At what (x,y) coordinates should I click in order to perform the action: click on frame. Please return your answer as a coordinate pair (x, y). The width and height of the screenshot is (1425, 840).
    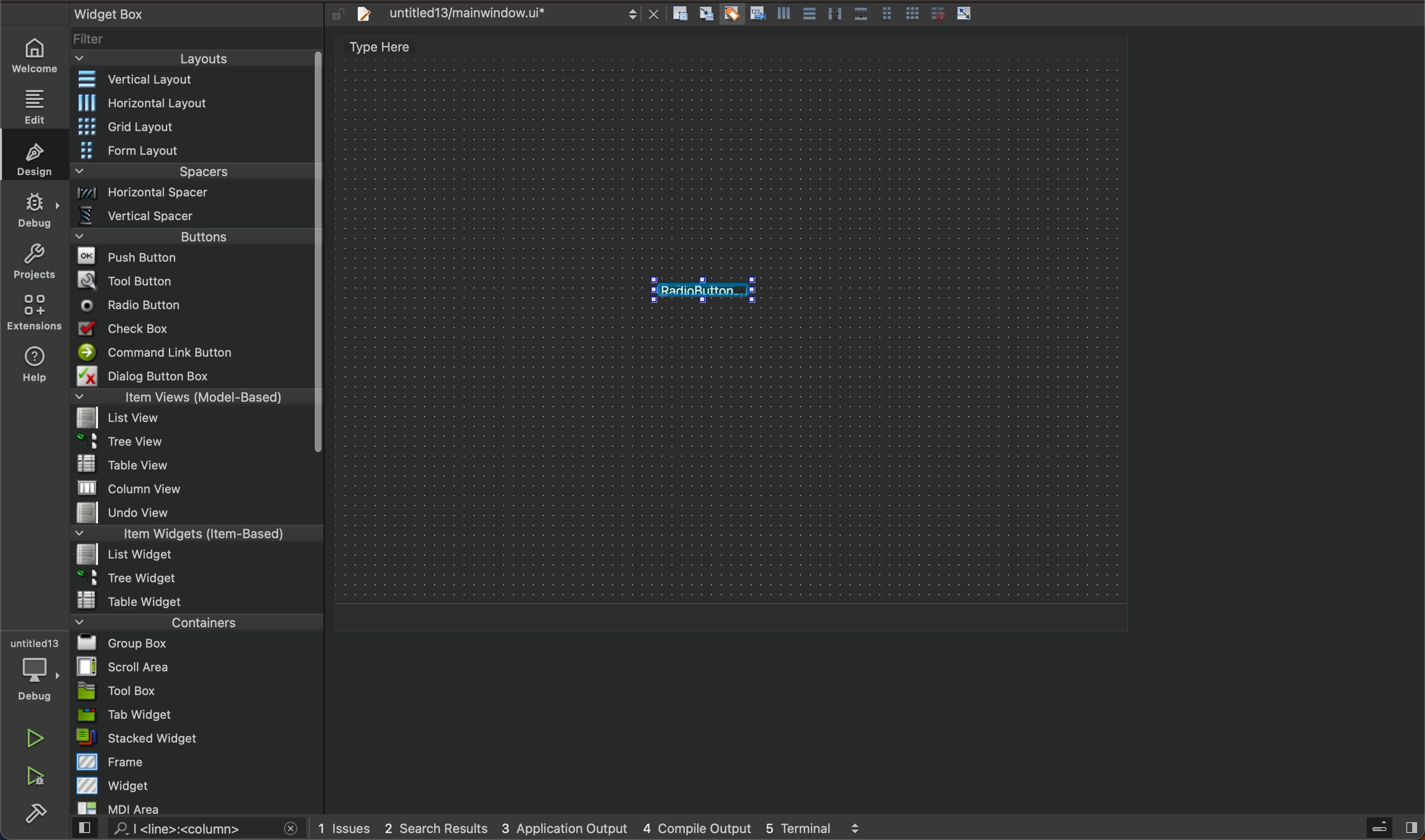
    Looking at the image, I should click on (199, 761).